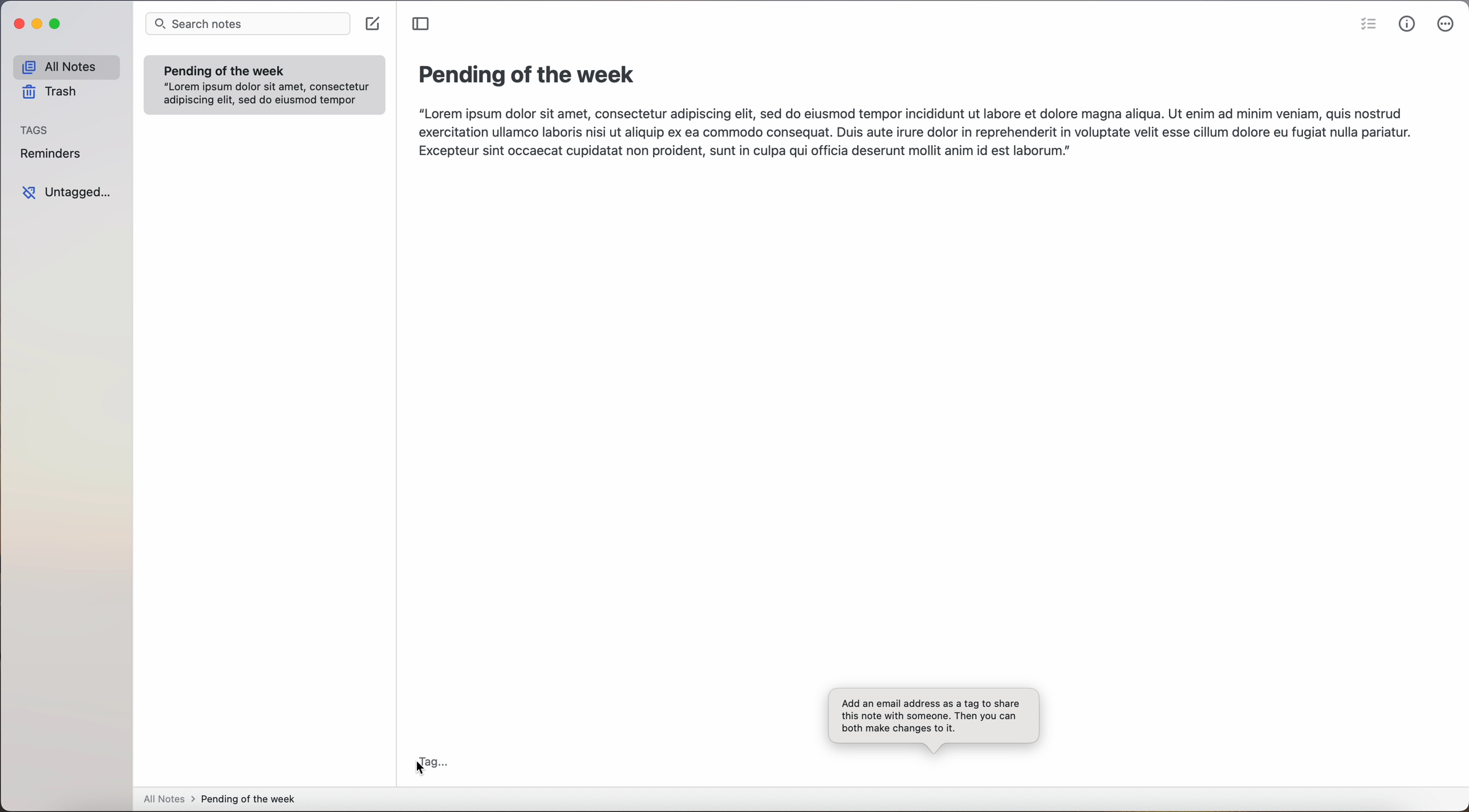  What do you see at coordinates (1447, 25) in the screenshot?
I see `click on more options` at bounding box center [1447, 25].